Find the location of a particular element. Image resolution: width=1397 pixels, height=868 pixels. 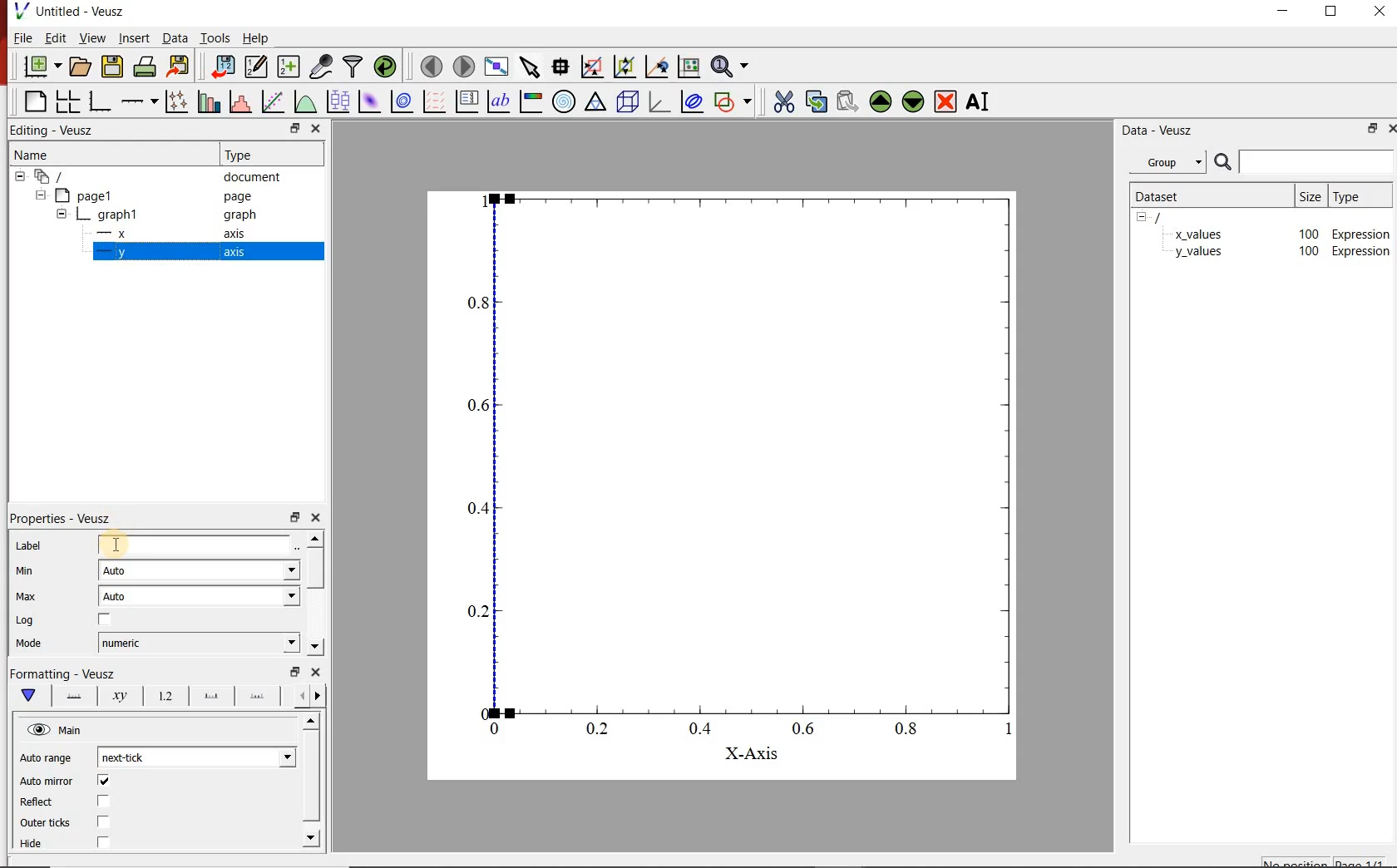

|Formatting - Veusz is located at coordinates (71, 673).